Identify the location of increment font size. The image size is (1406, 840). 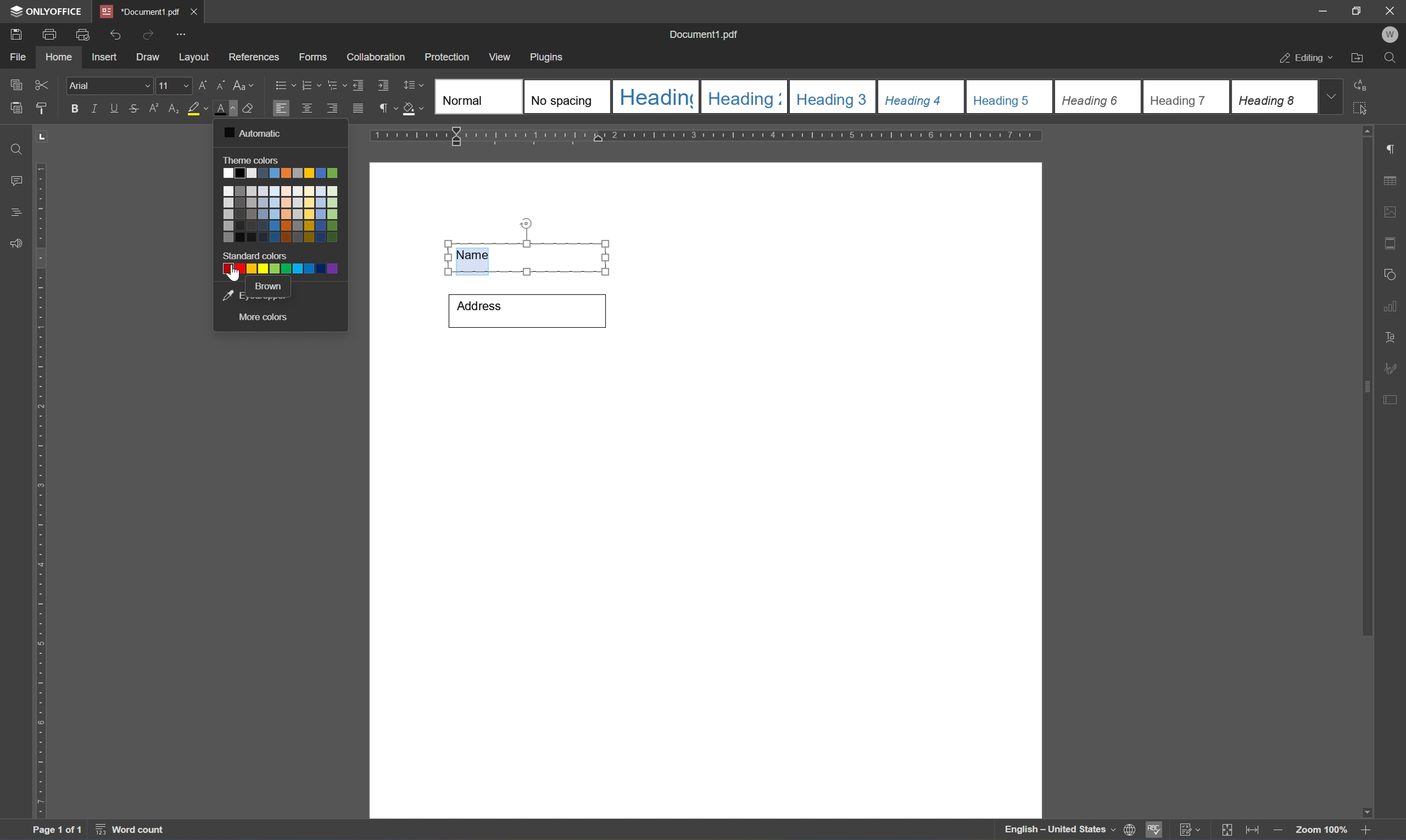
(203, 84).